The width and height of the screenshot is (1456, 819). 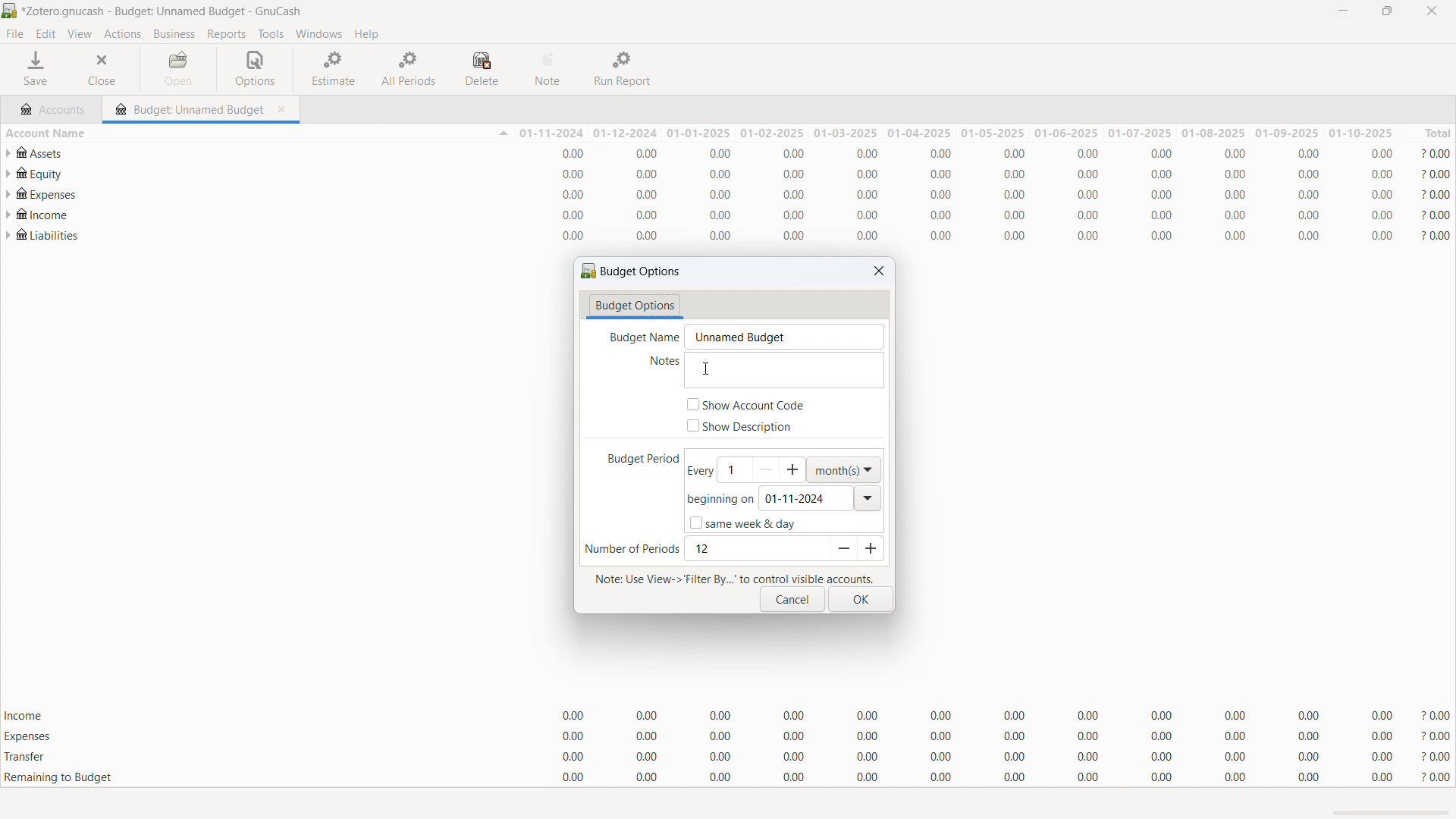 I want to click on total, so click(x=1427, y=133).